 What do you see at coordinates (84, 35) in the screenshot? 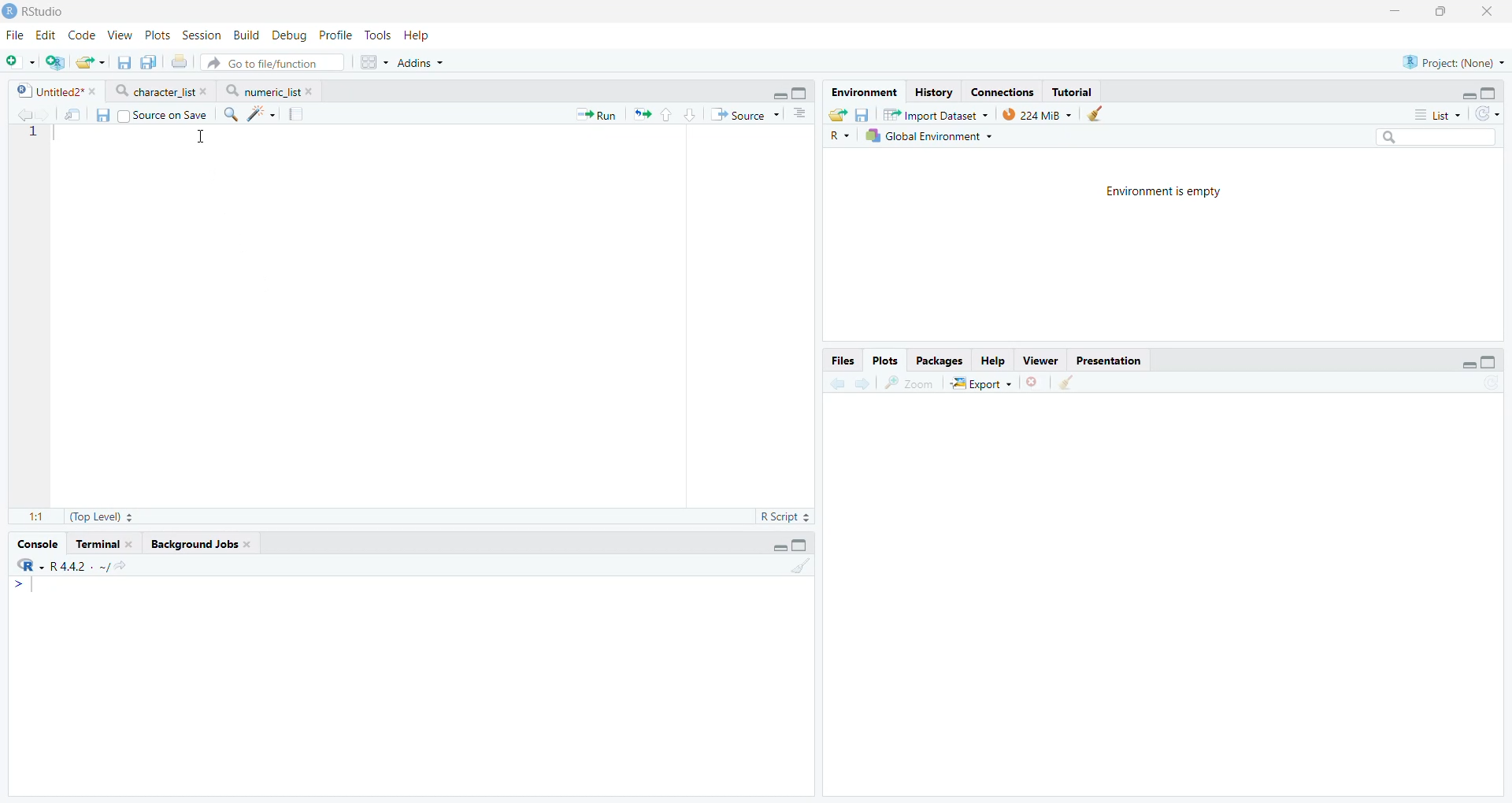
I see `Code` at bounding box center [84, 35].